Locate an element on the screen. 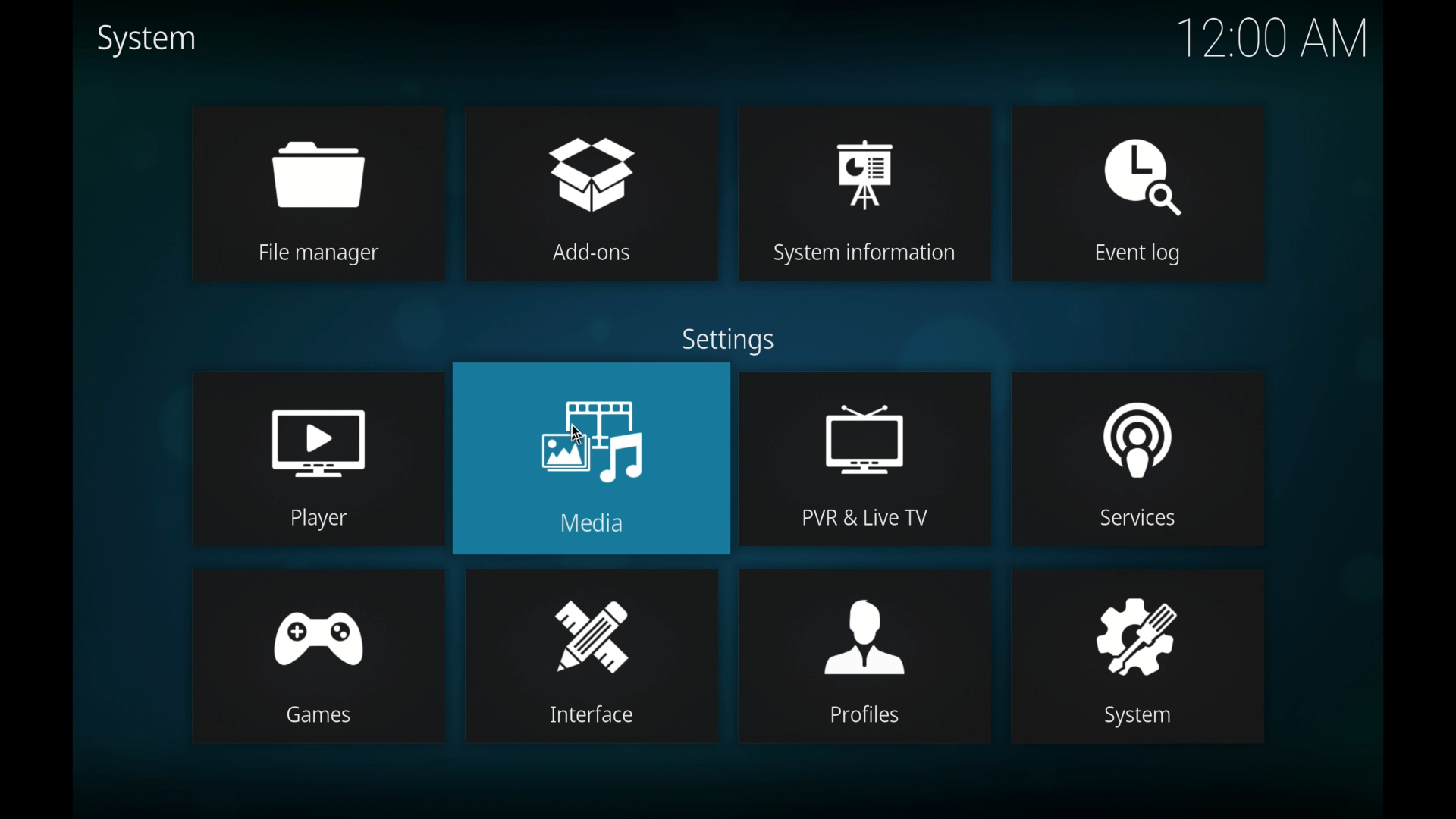 The width and height of the screenshot is (1456, 819). games is located at coordinates (317, 654).